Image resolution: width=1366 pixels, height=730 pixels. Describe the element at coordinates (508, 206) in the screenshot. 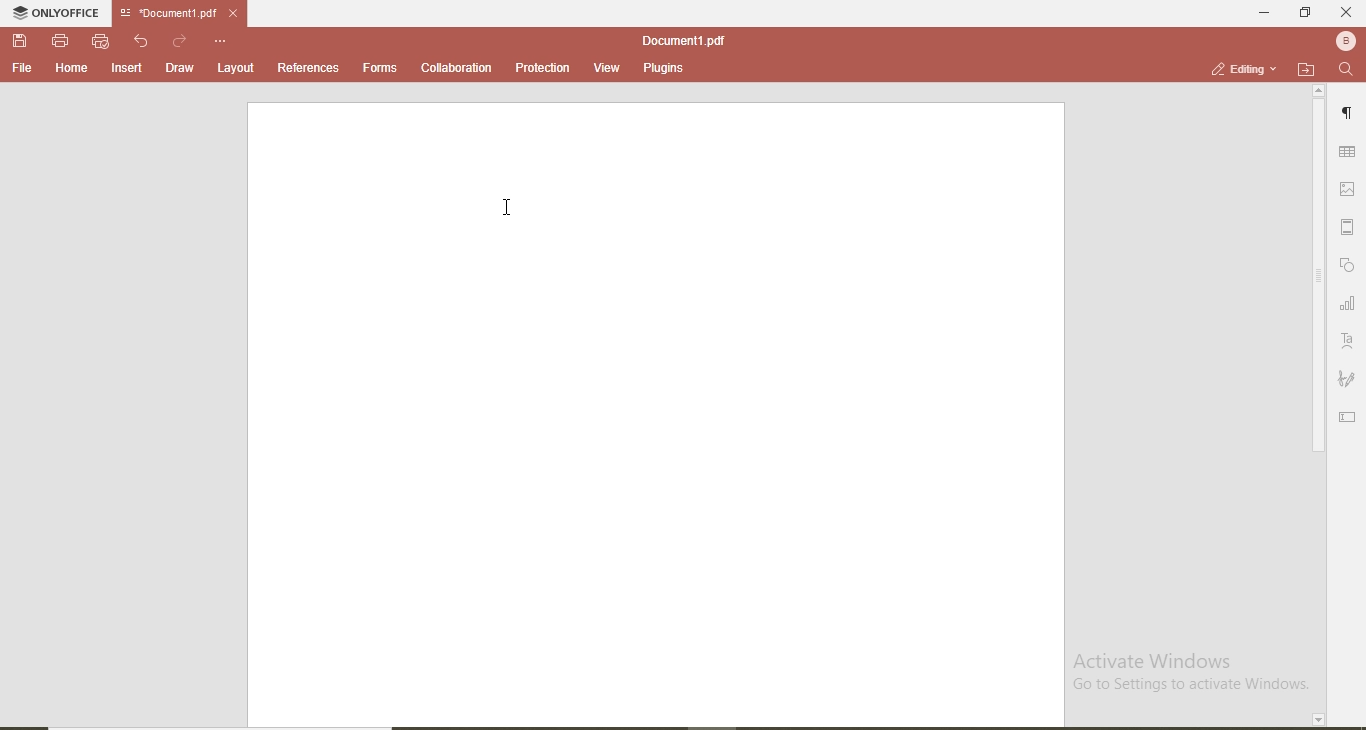

I see `cursor` at that location.